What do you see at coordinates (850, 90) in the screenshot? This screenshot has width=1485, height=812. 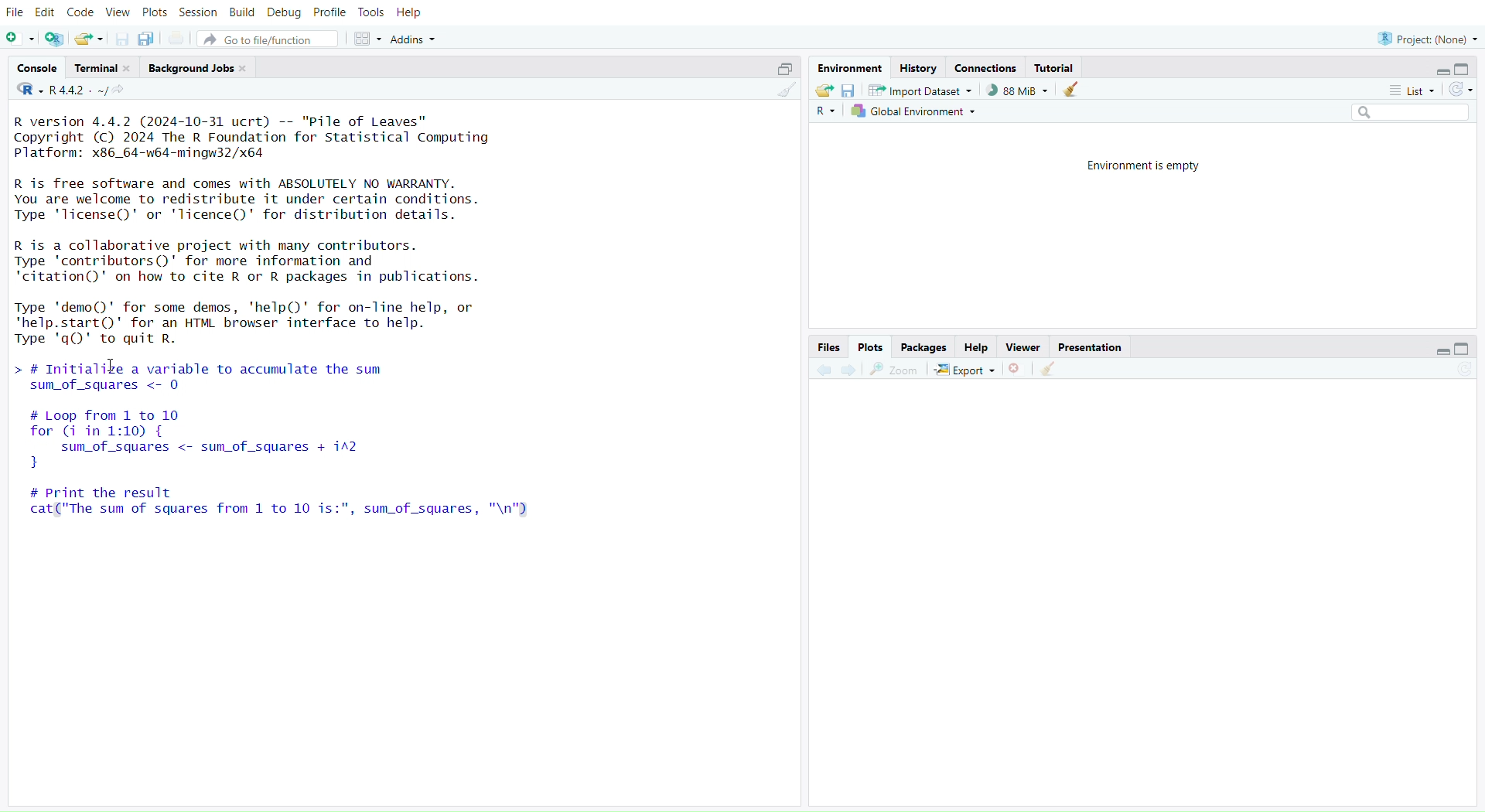 I see `save workspace` at bounding box center [850, 90].